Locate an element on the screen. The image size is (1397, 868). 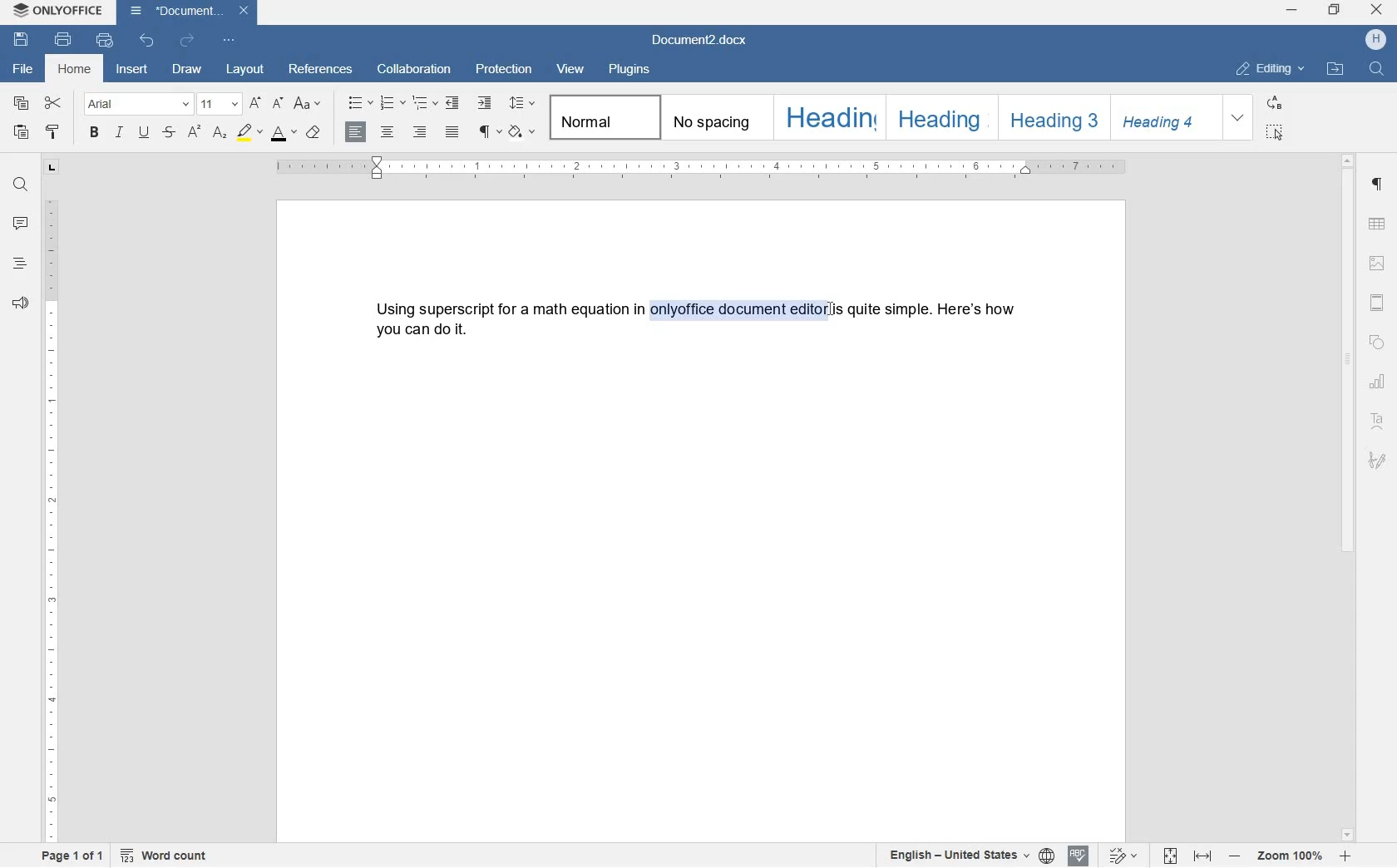
align center is located at coordinates (390, 132).